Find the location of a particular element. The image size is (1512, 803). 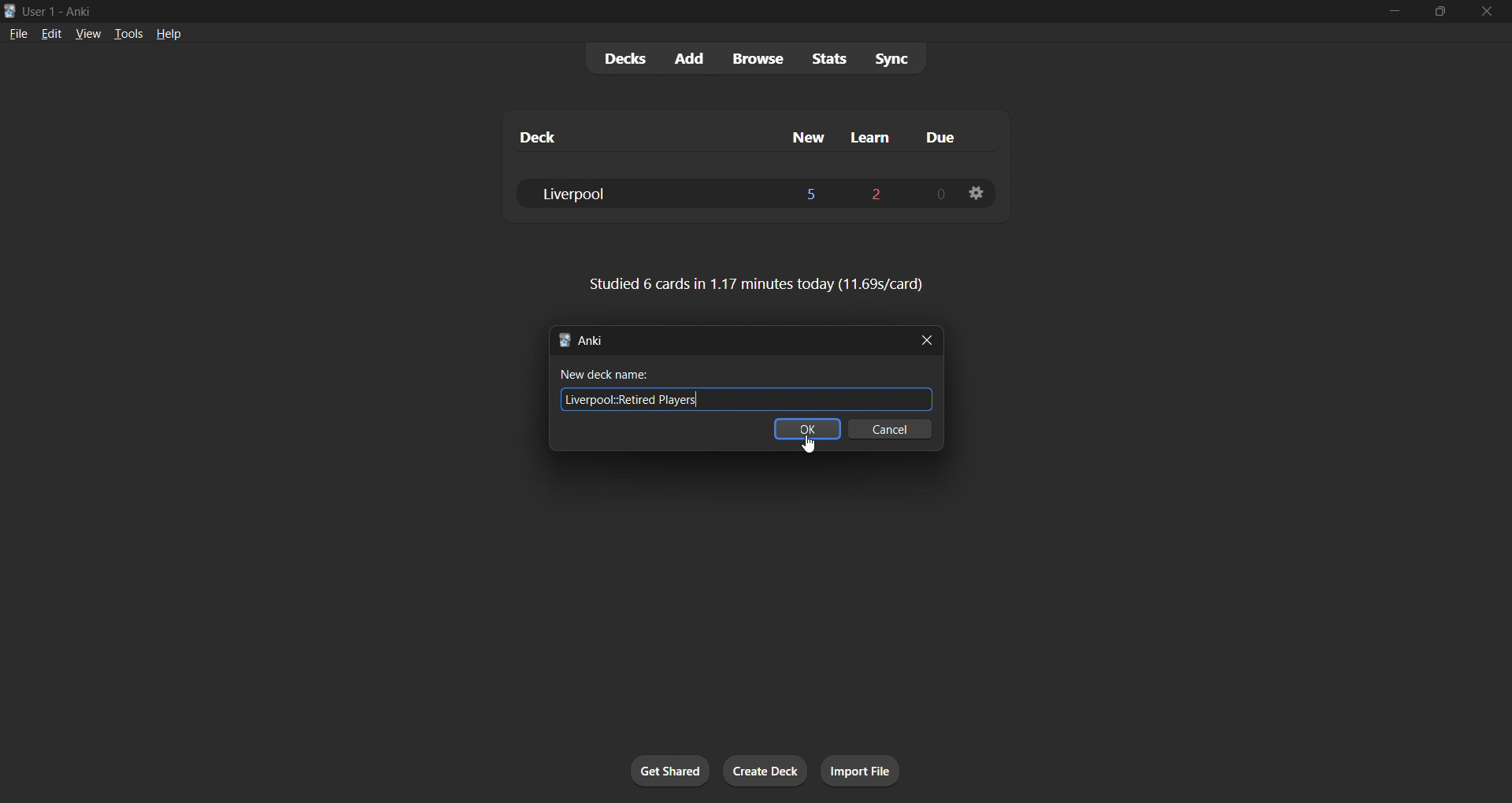

deck name column is located at coordinates (622, 139).